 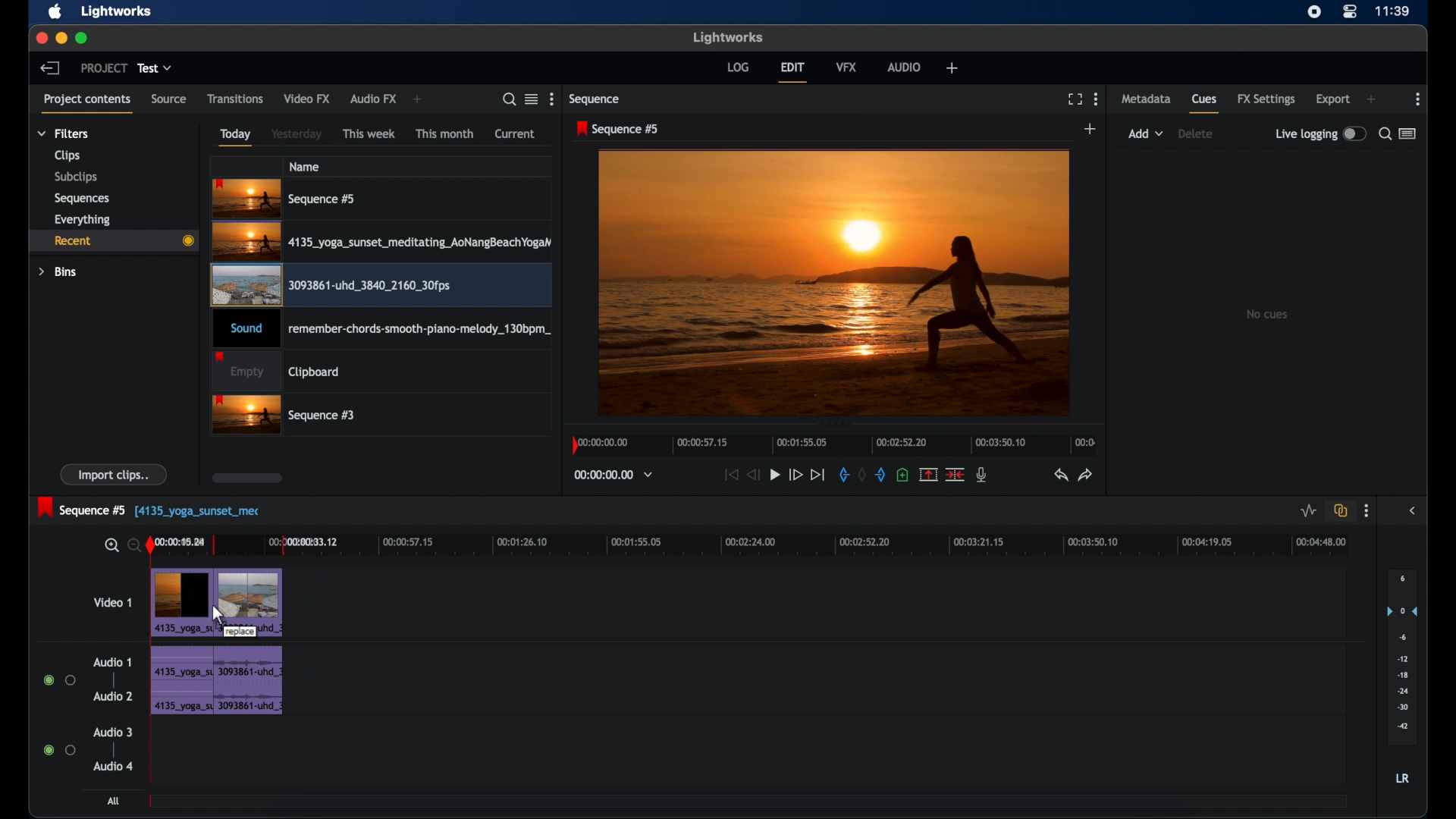 I want to click on this week, so click(x=369, y=134).